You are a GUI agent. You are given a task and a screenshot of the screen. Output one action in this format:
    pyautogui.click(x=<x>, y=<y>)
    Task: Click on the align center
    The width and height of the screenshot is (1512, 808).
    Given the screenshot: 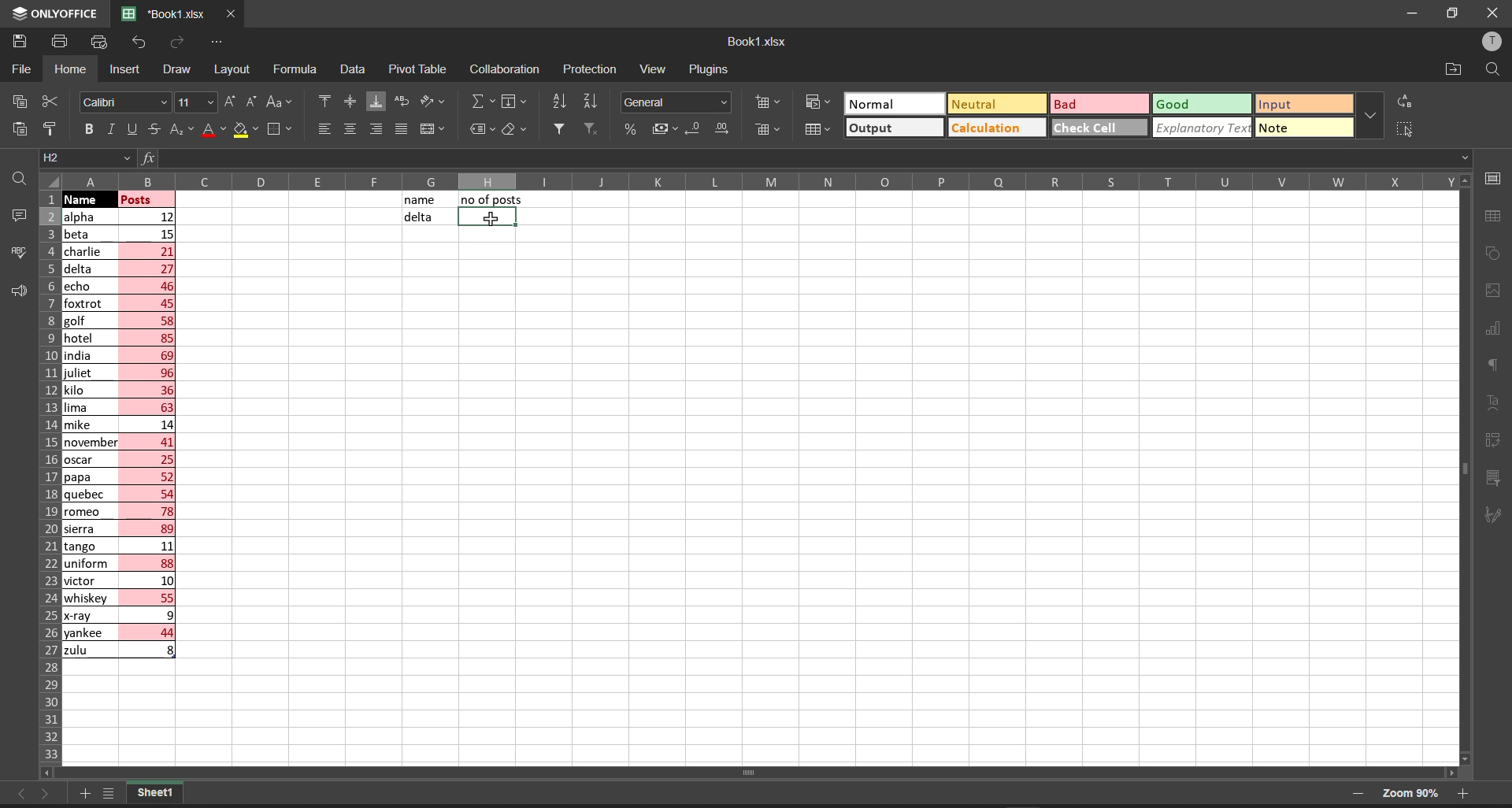 What is the action you would take?
    pyautogui.click(x=349, y=102)
    